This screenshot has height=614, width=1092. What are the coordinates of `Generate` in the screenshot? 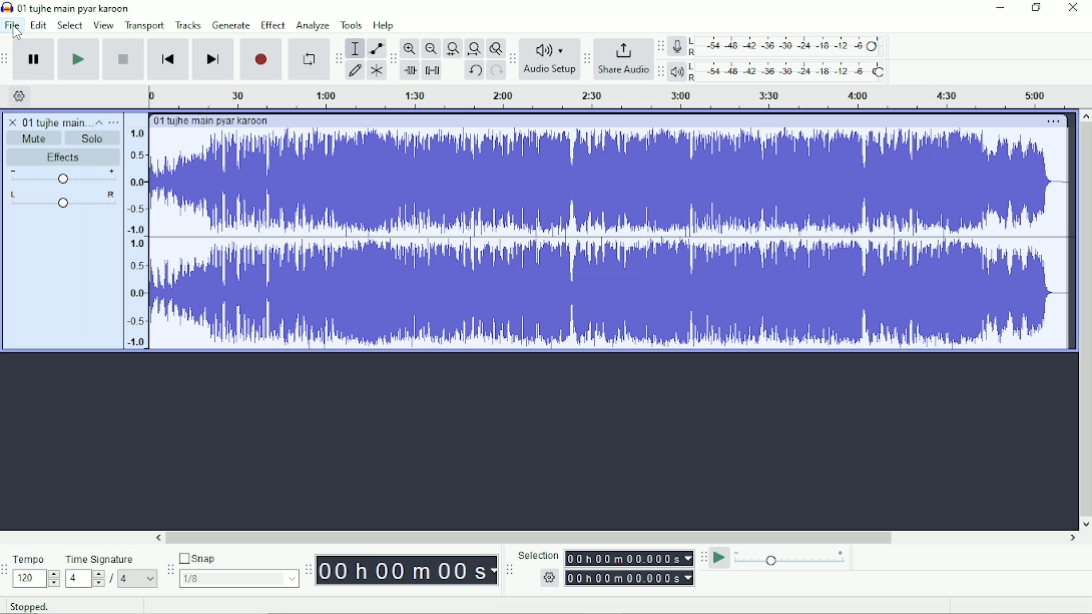 It's located at (232, 26).